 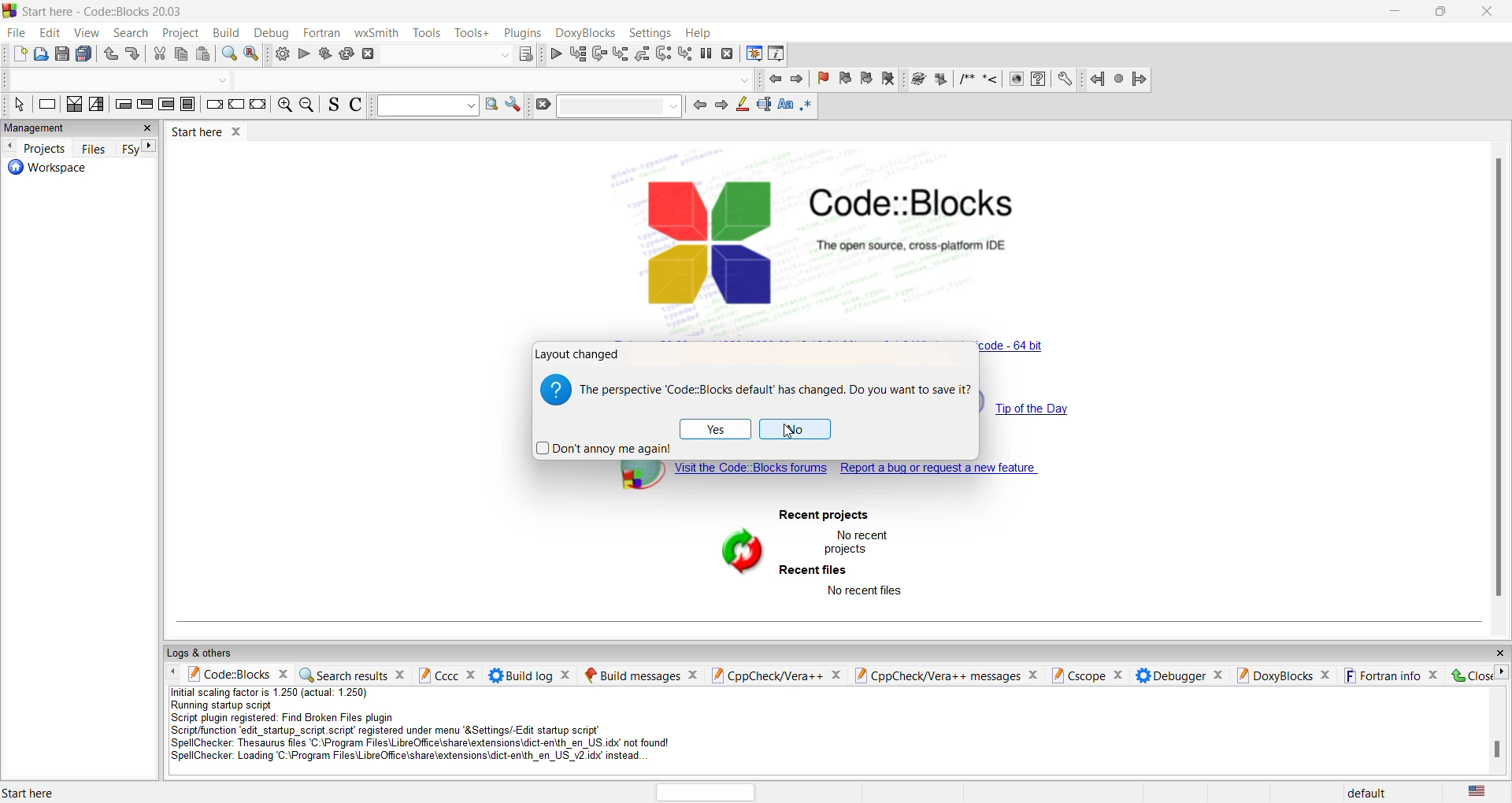 What do you see at coordinates (641, 54) in the screenshot?
I see `step into` at bounding box center [641, 54].